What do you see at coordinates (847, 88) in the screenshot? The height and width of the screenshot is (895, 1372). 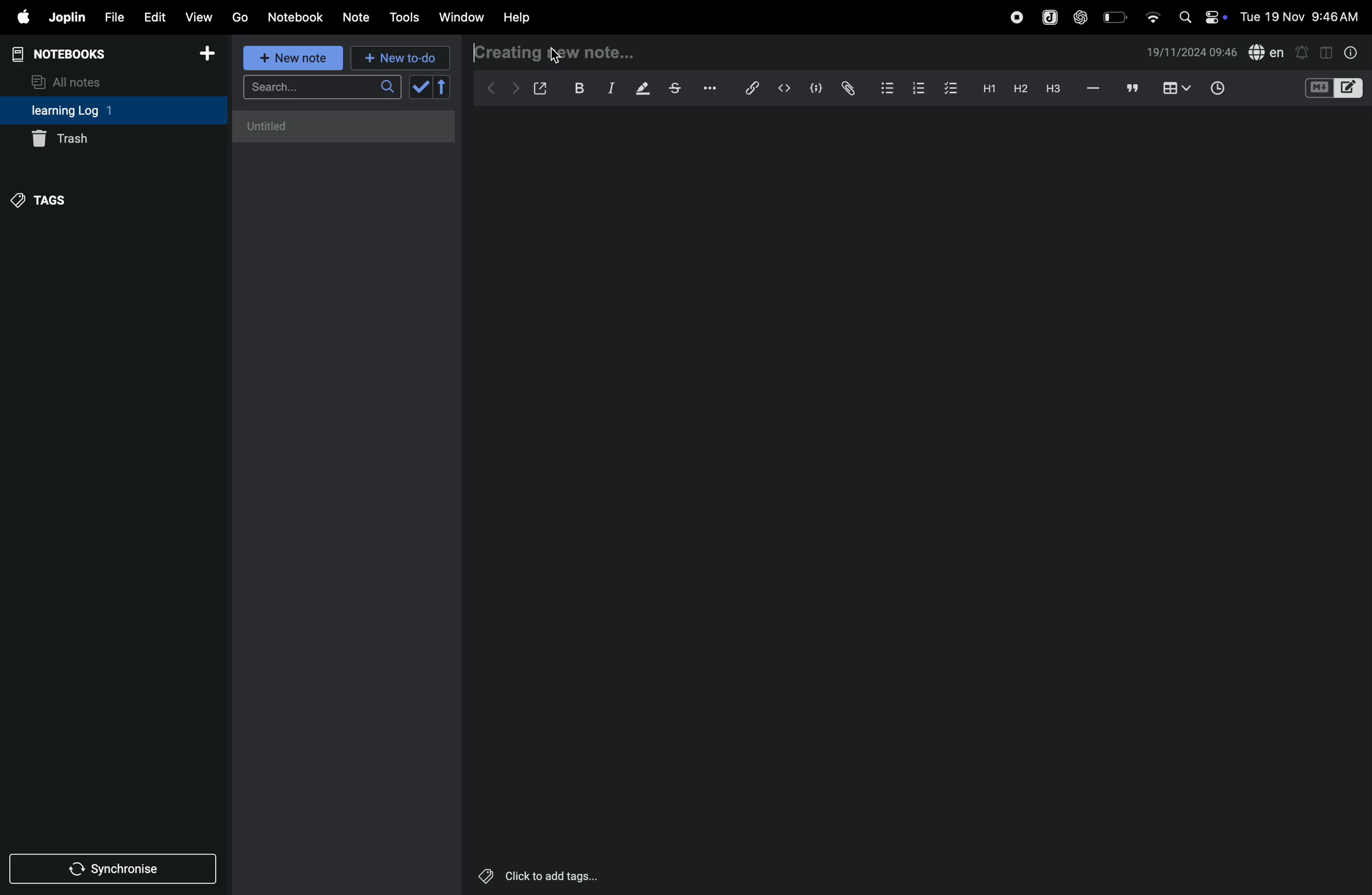 I see `attach file` at bounding box center [847, 88].